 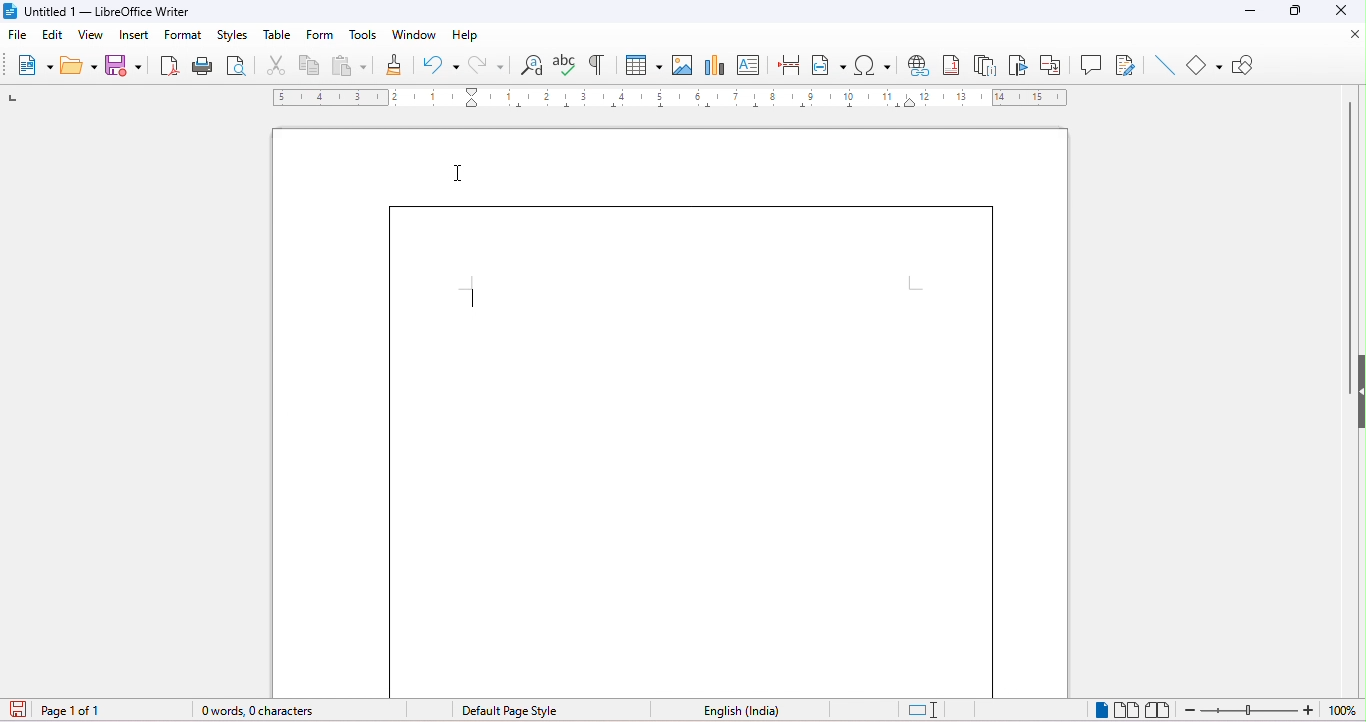 What do you see at coordinates (1055, 64) in the screenshot?
I see `cross reference` at bounding box center [1055, 64].